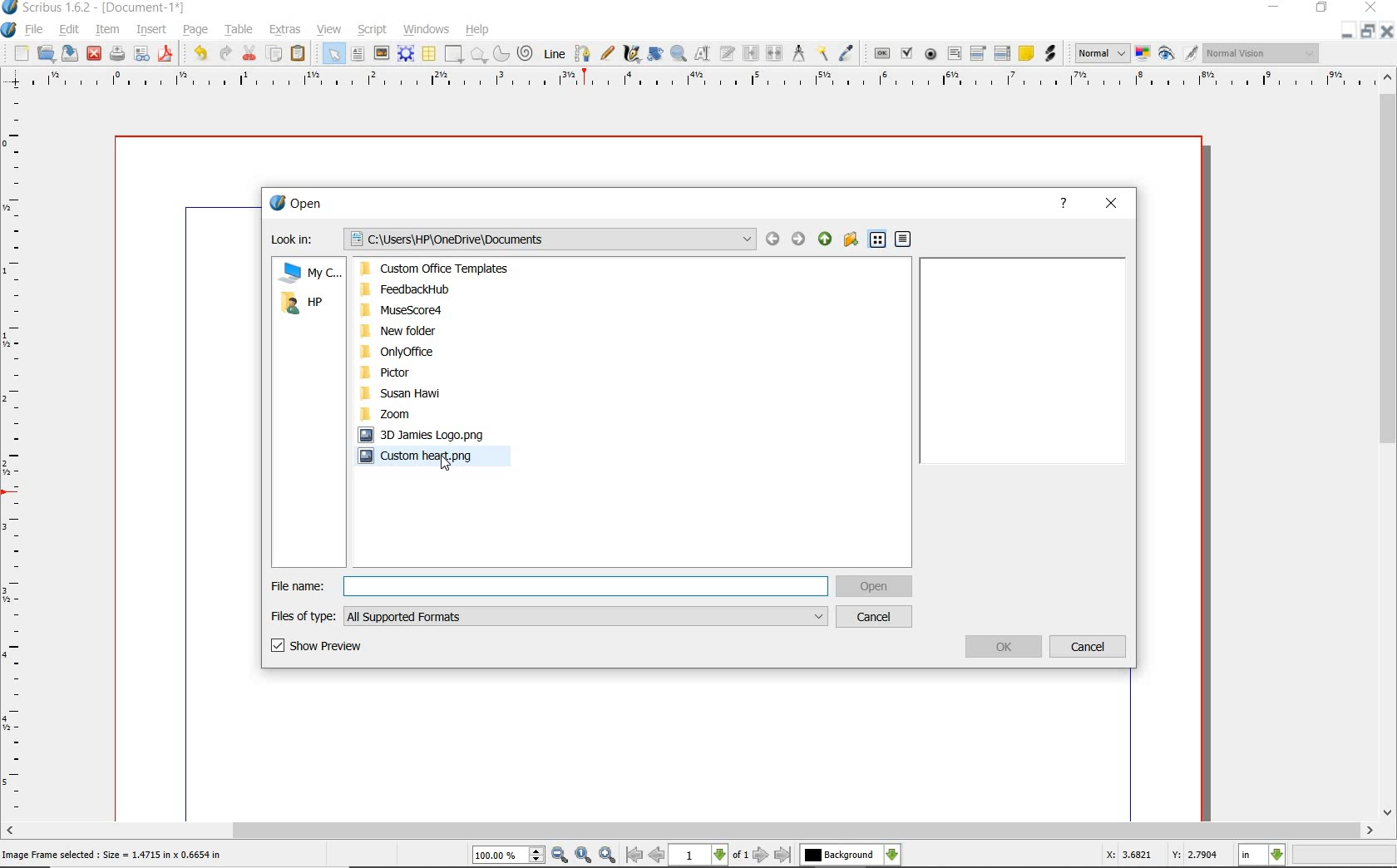 Image resolution: width=1397 pixels, height=868 pixels. What do you see at coordinates (776, 53) in the screenshot?
I see `unlink text frames` at bounding box center [776, 53].